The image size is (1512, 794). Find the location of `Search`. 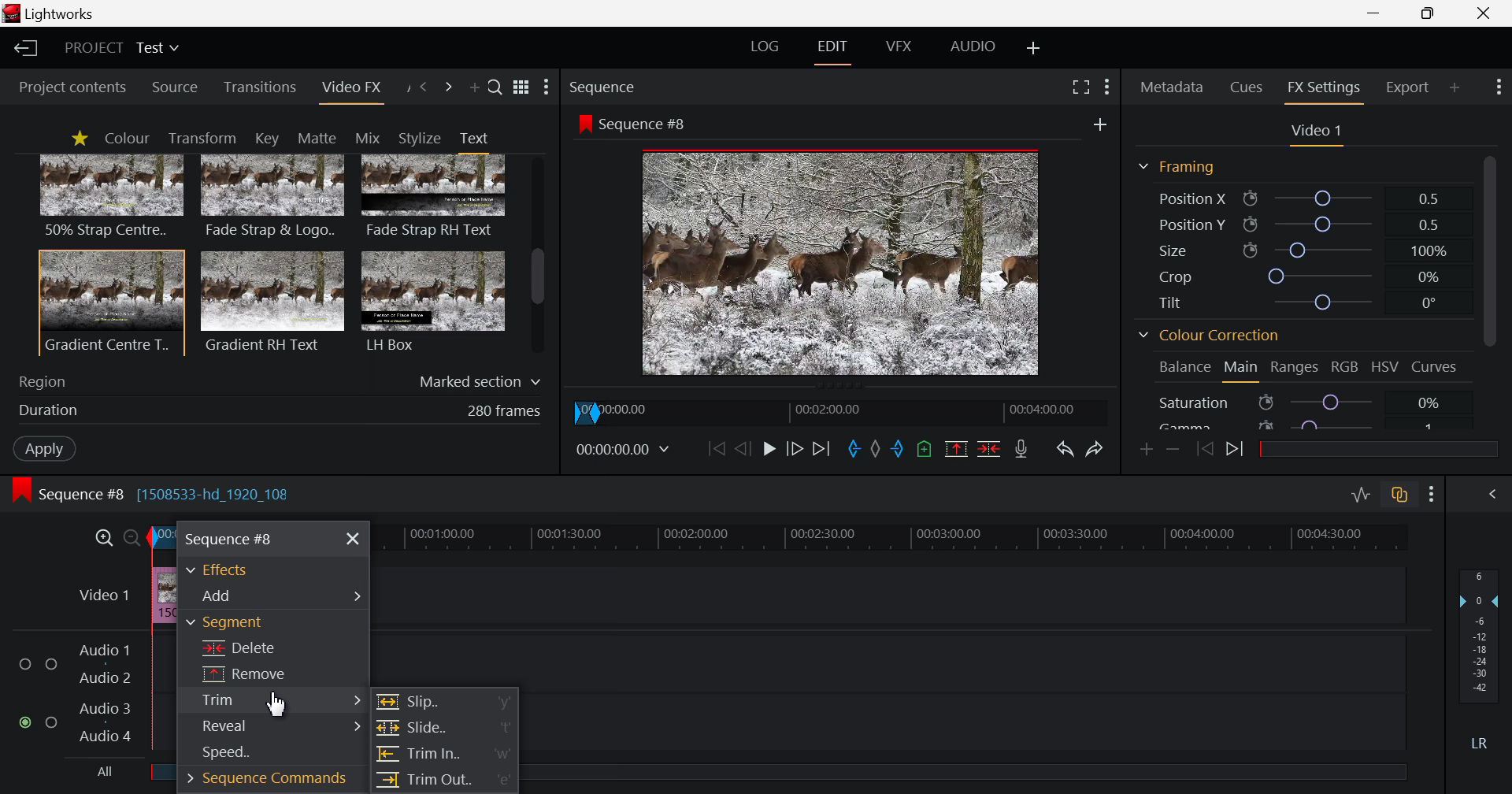

Search is located at coordinates (495, 89).